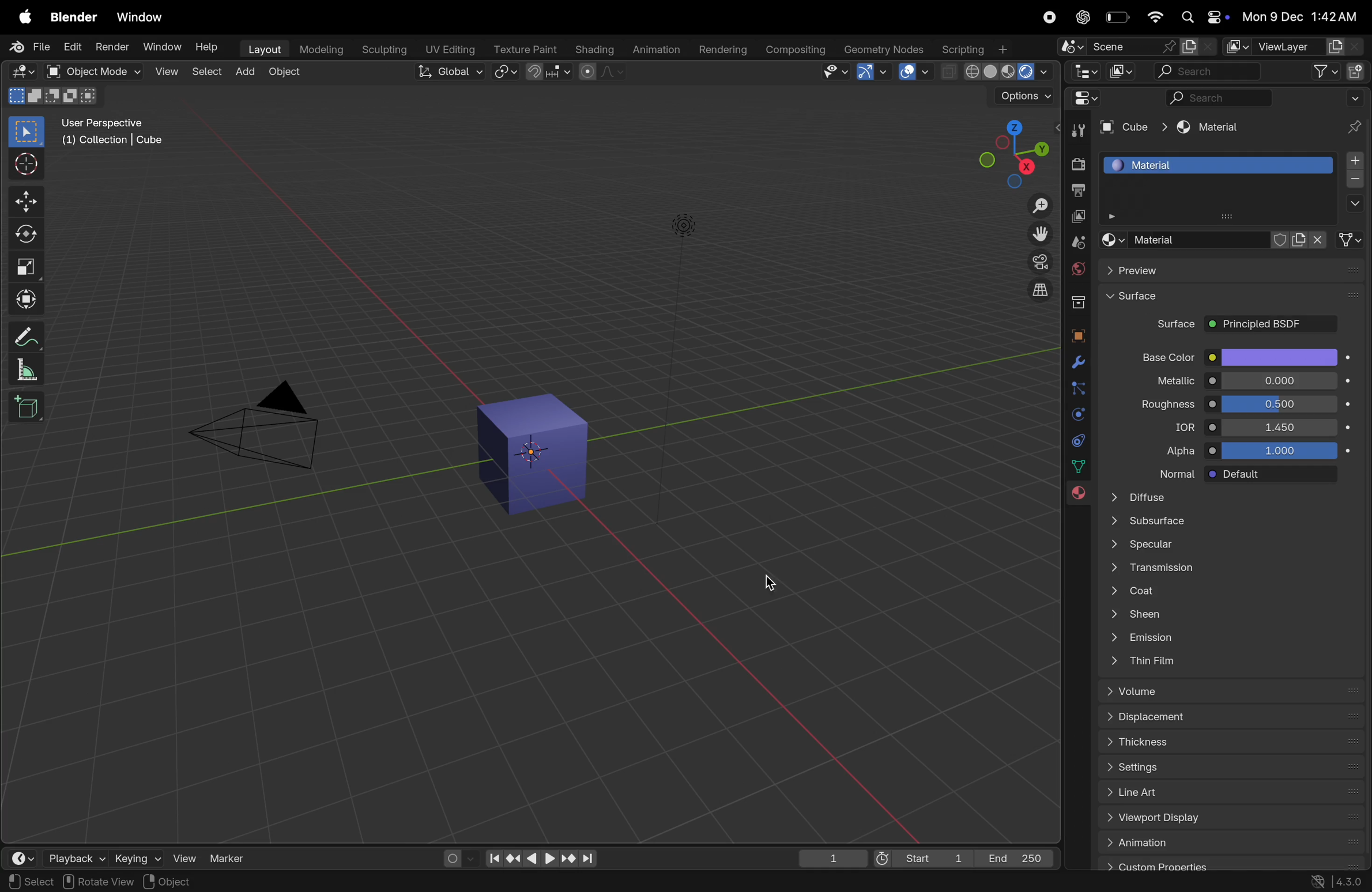 The height and width of the screenshot is (892, 1372). Describe the element at coordinates (1355, 161) in the screenshot. I see `add materail slor` at that location.